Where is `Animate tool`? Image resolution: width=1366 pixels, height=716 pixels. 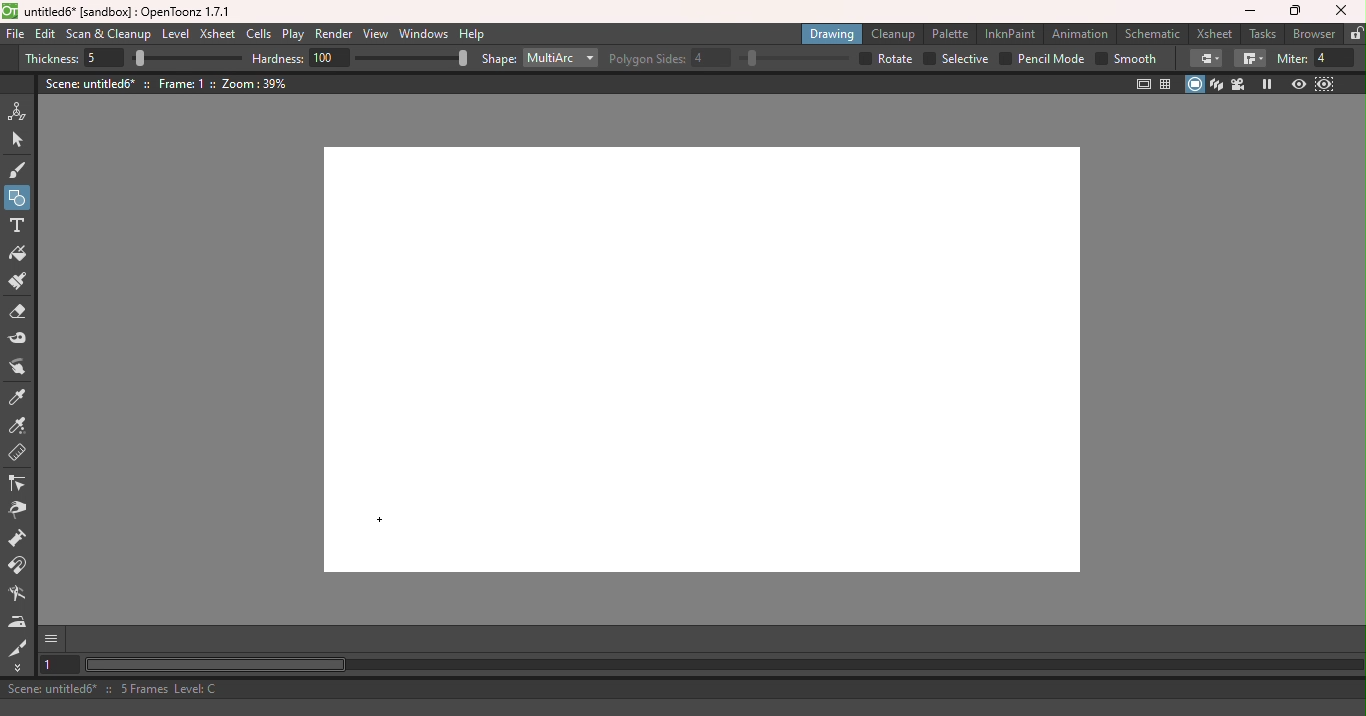
Animate tool is located at coordinates (20, 112).